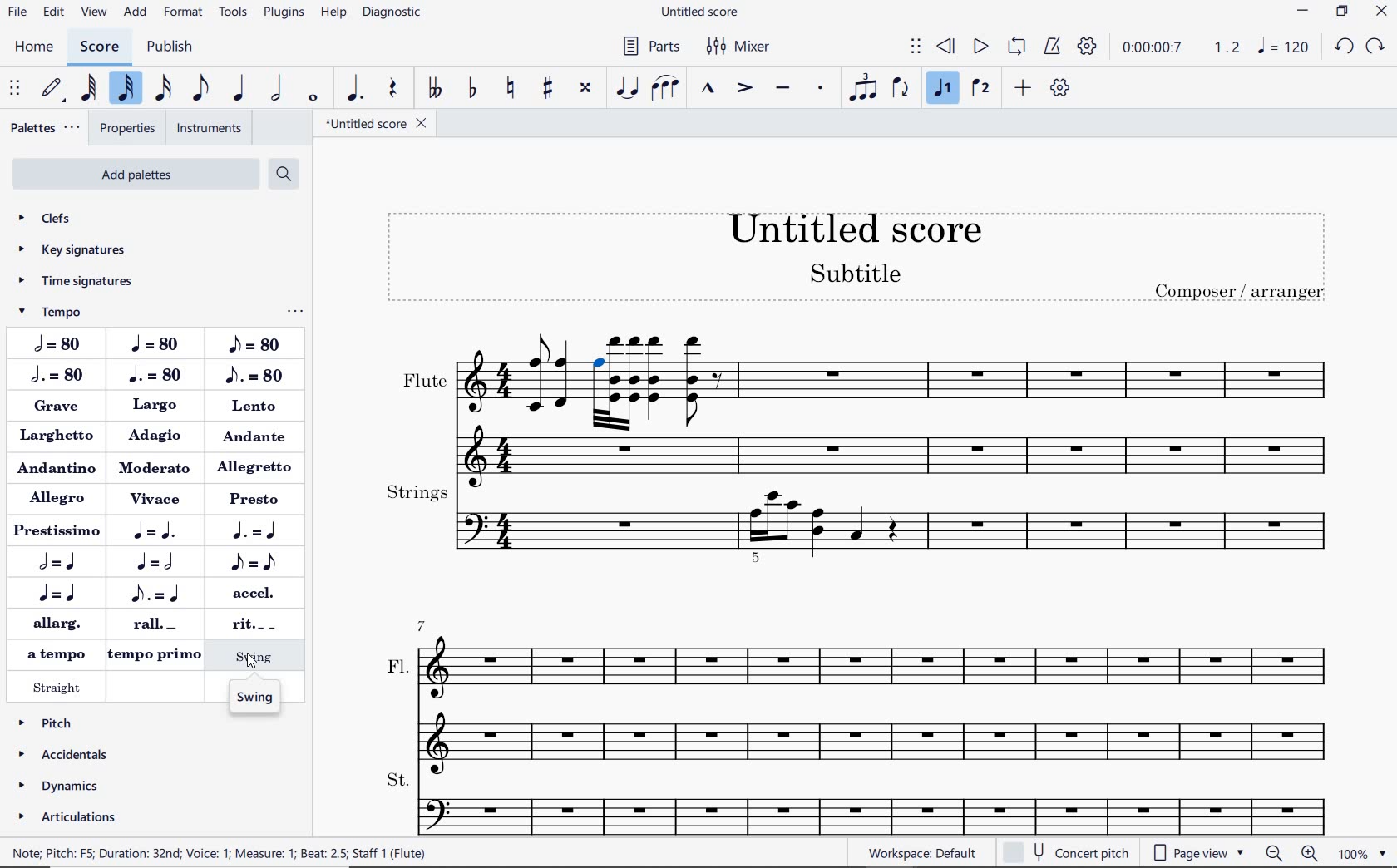  What do you see at coordinates (872, 526) in the screenshot?
I see `strings` at bounding box center [872, 526].